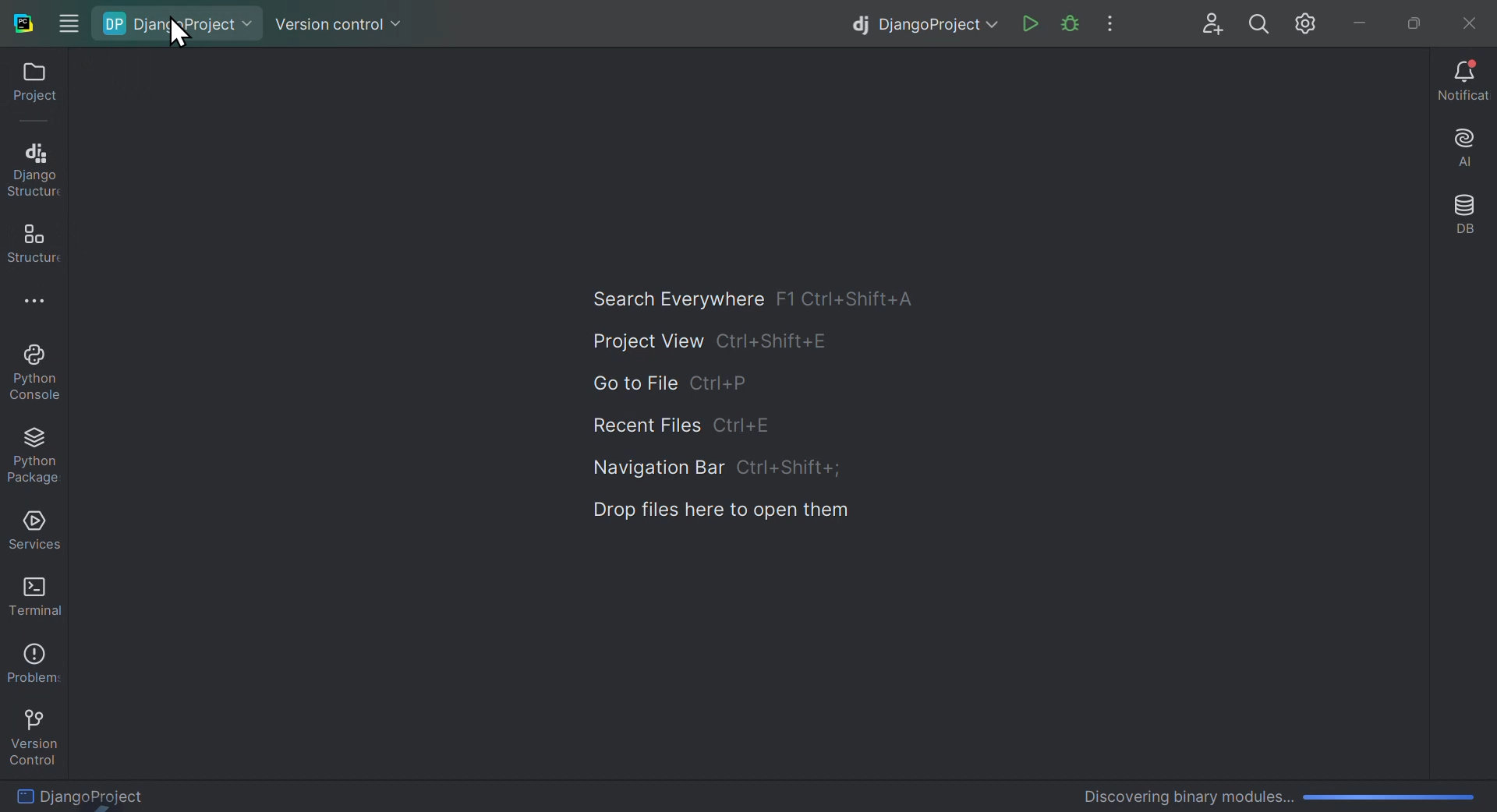 The width and height of the screenshot is (1497, 812). Describe the element at coordinates (1464, 217) in the screenshot. I see `Database` at that location.